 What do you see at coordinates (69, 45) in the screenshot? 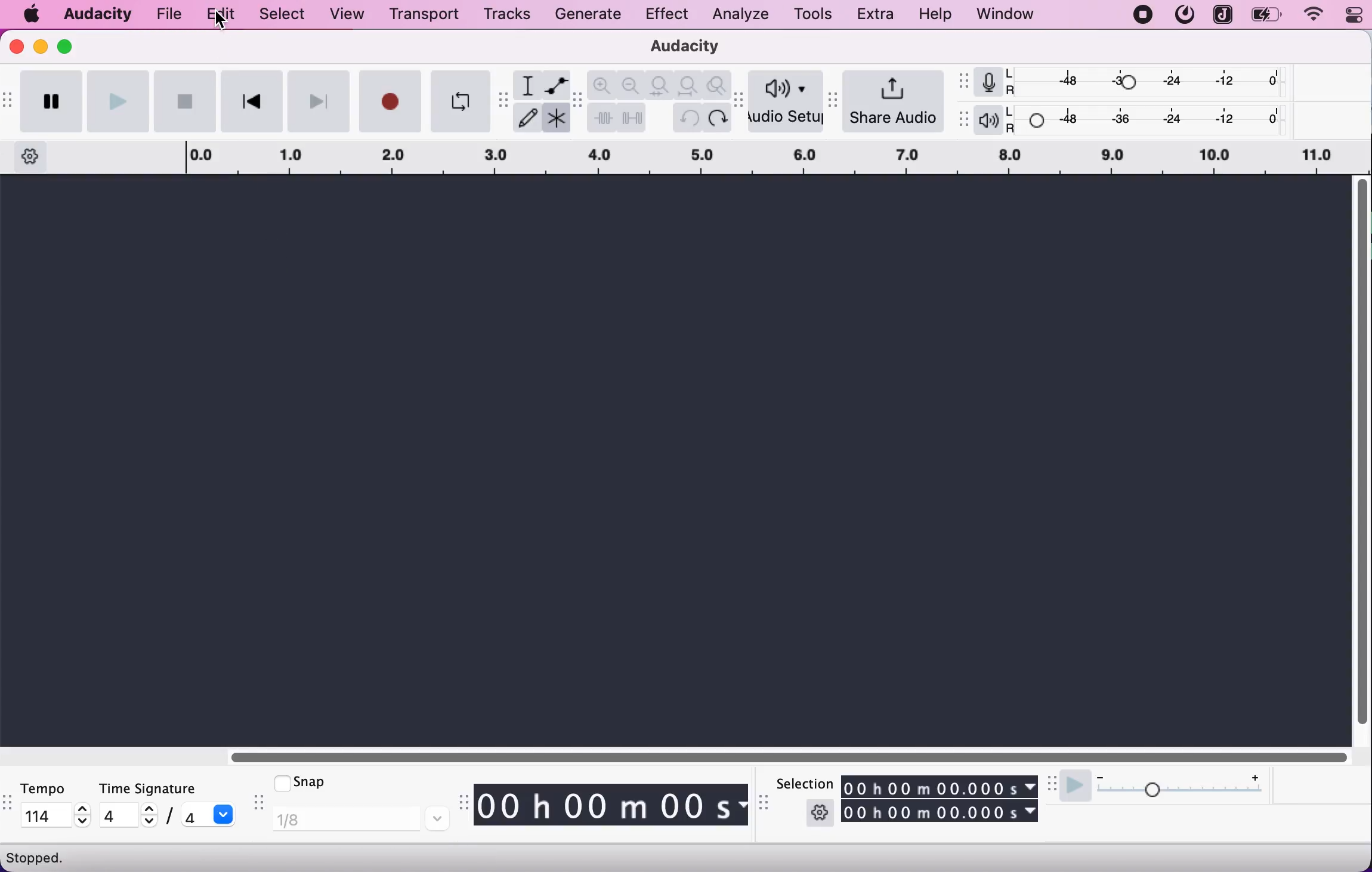
I see `maximize` at bounding box center [69, 45].